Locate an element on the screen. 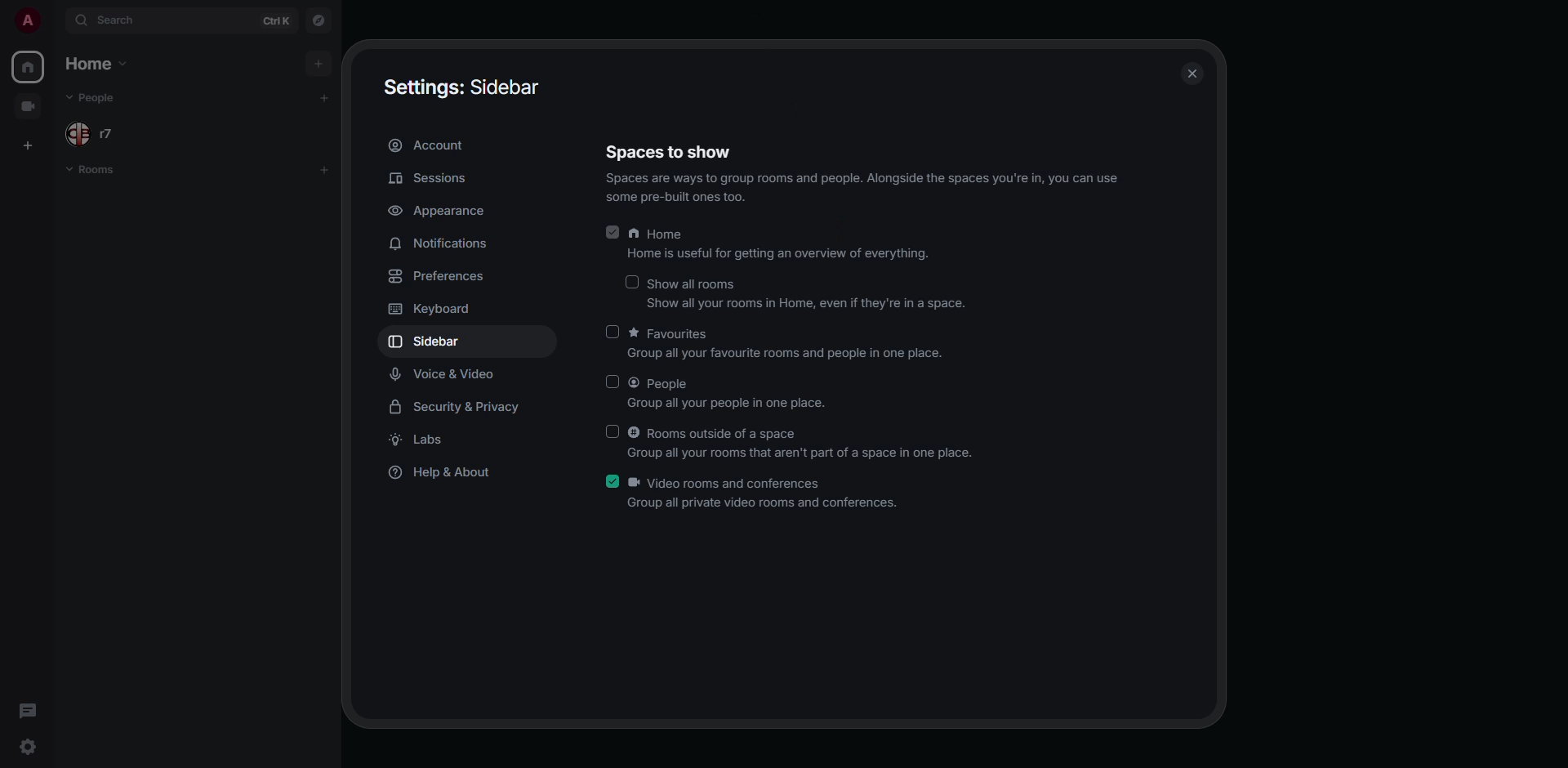 The height and width of the screenshot is (768, 1568). room is located at coordinates (91, 168).